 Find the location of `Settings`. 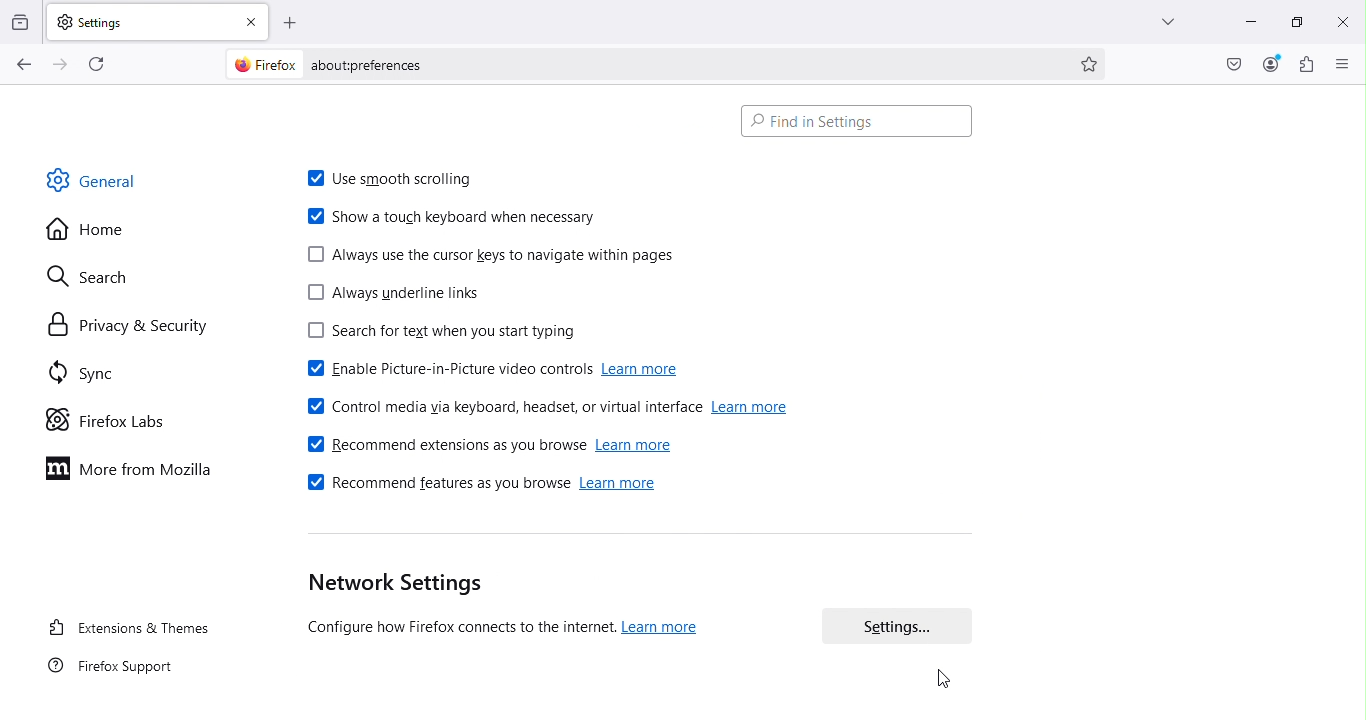

Settings is located at coordinates (894, 626).